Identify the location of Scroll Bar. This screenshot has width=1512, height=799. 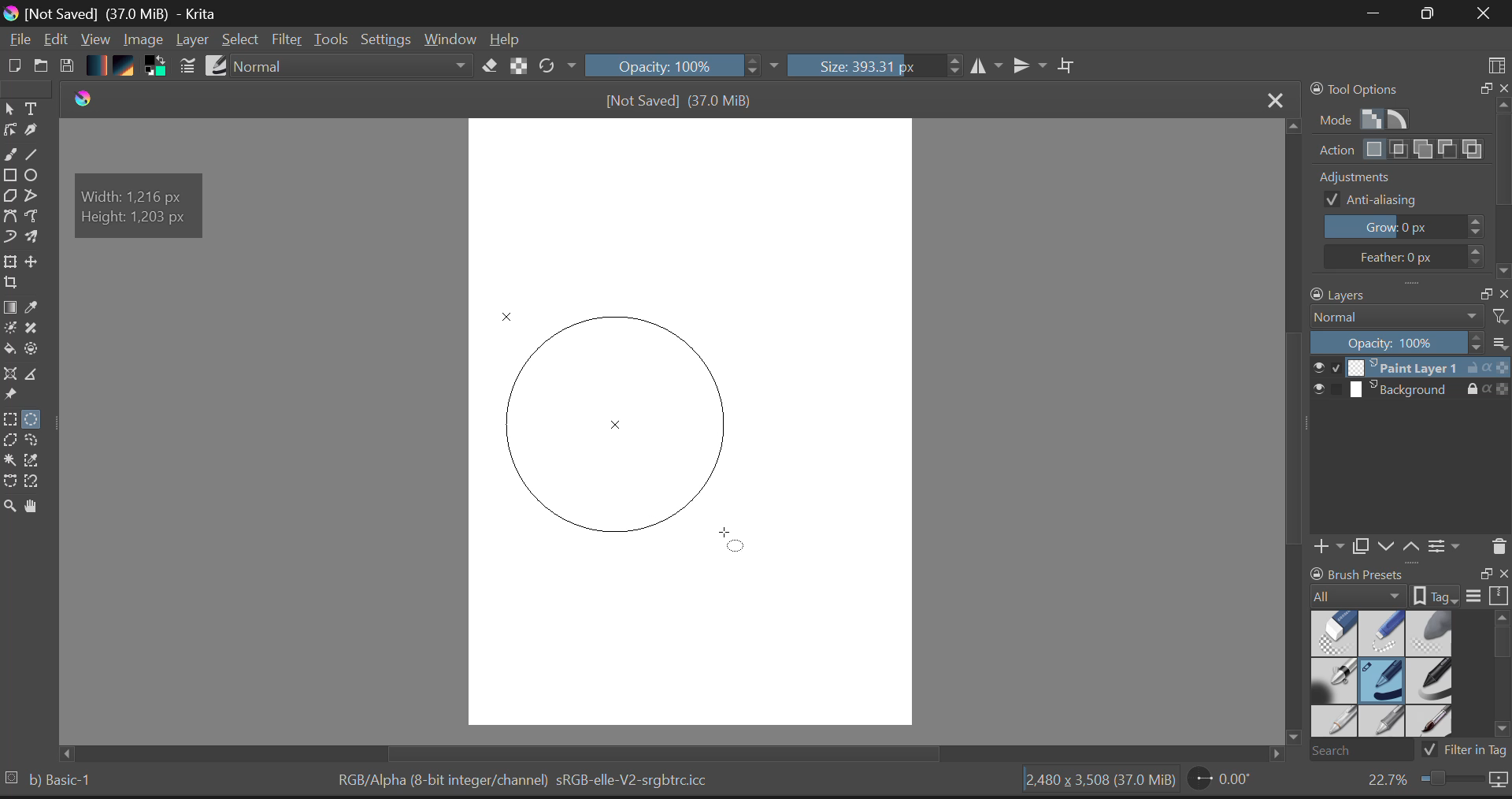
(679, 753).